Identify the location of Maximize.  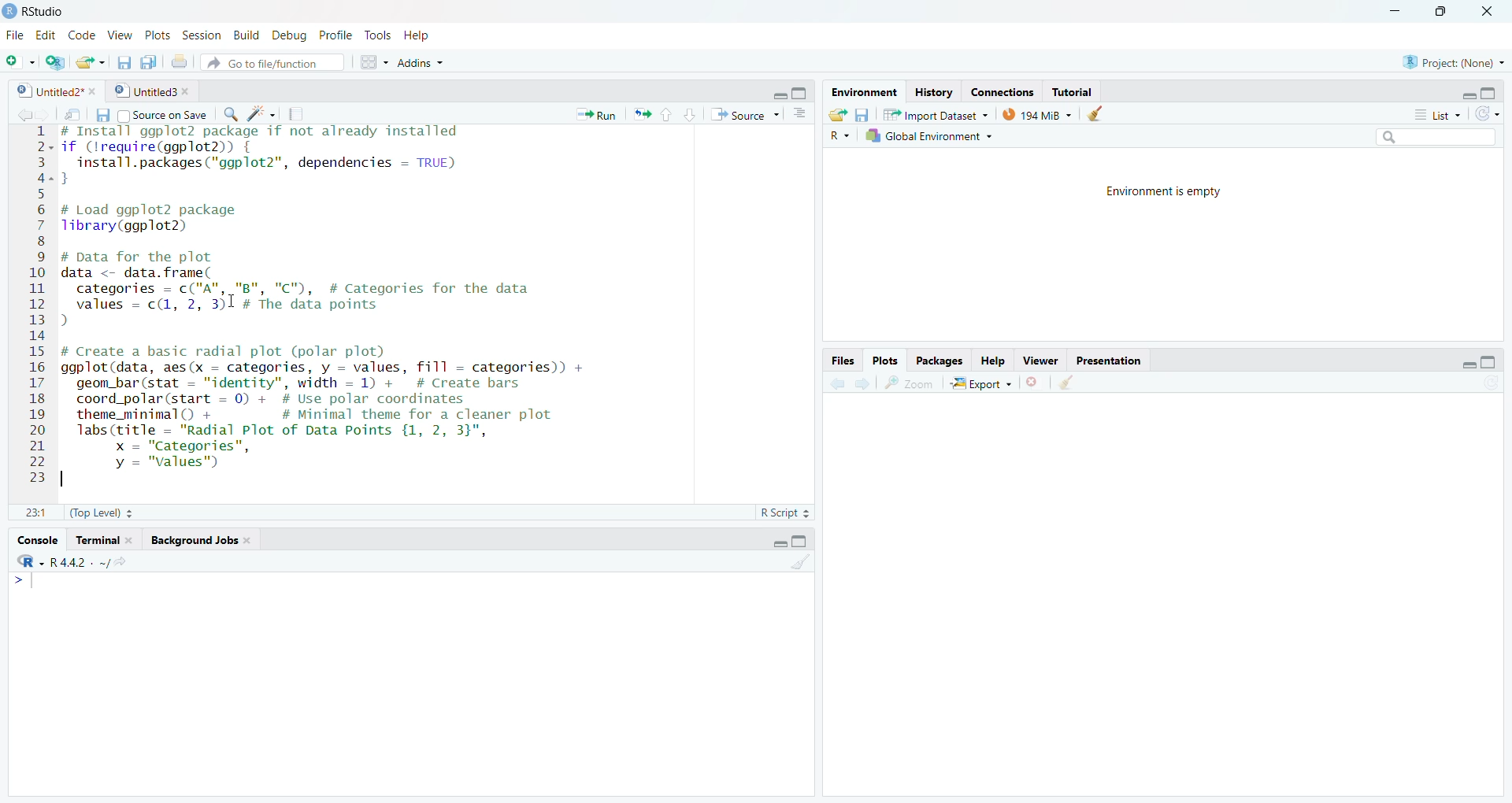
(801, 92).